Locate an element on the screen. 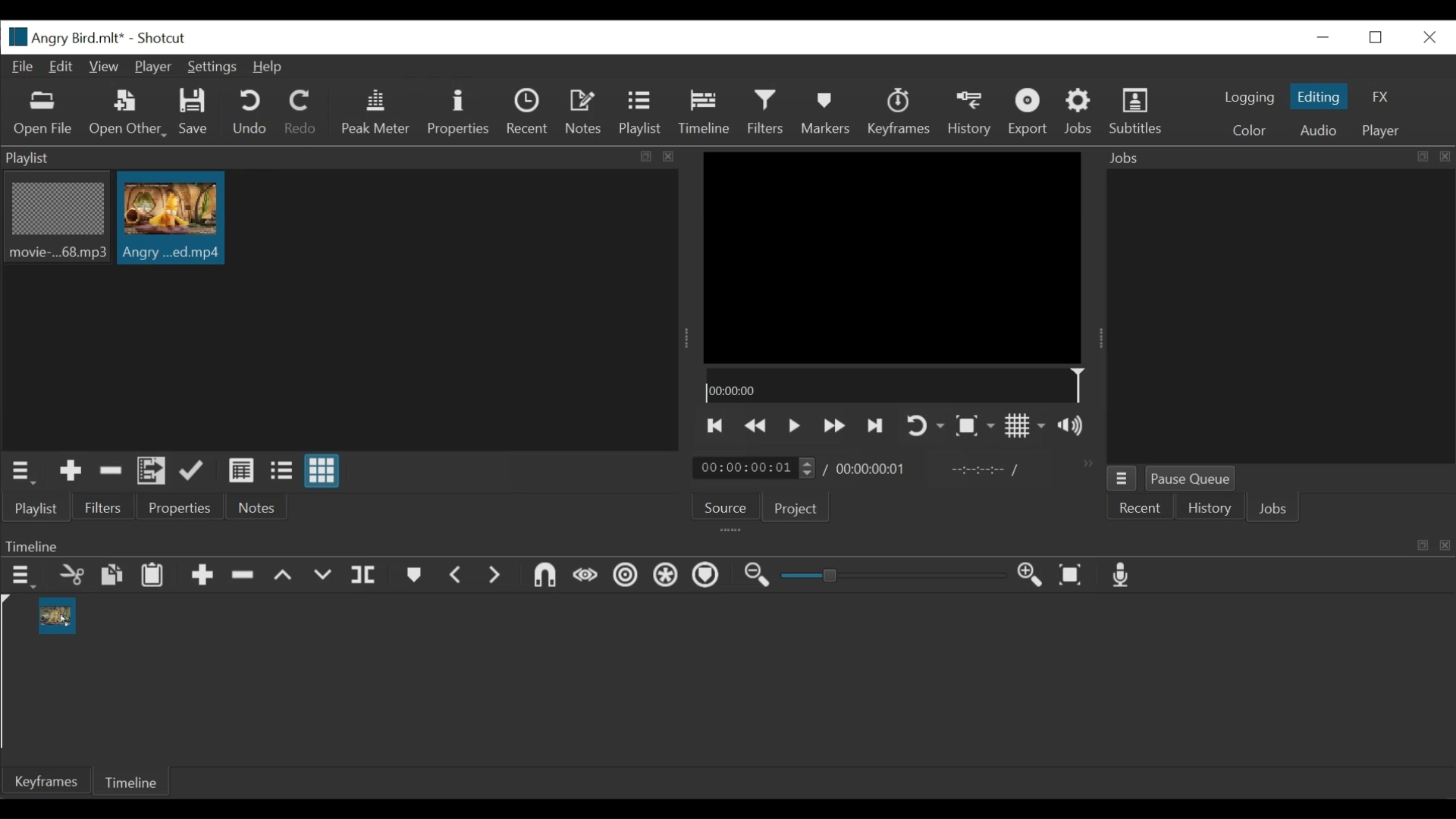 Image resolution: width=1456 pixels, height=819 pixels. Audio is located at coordinates (1316, 130).